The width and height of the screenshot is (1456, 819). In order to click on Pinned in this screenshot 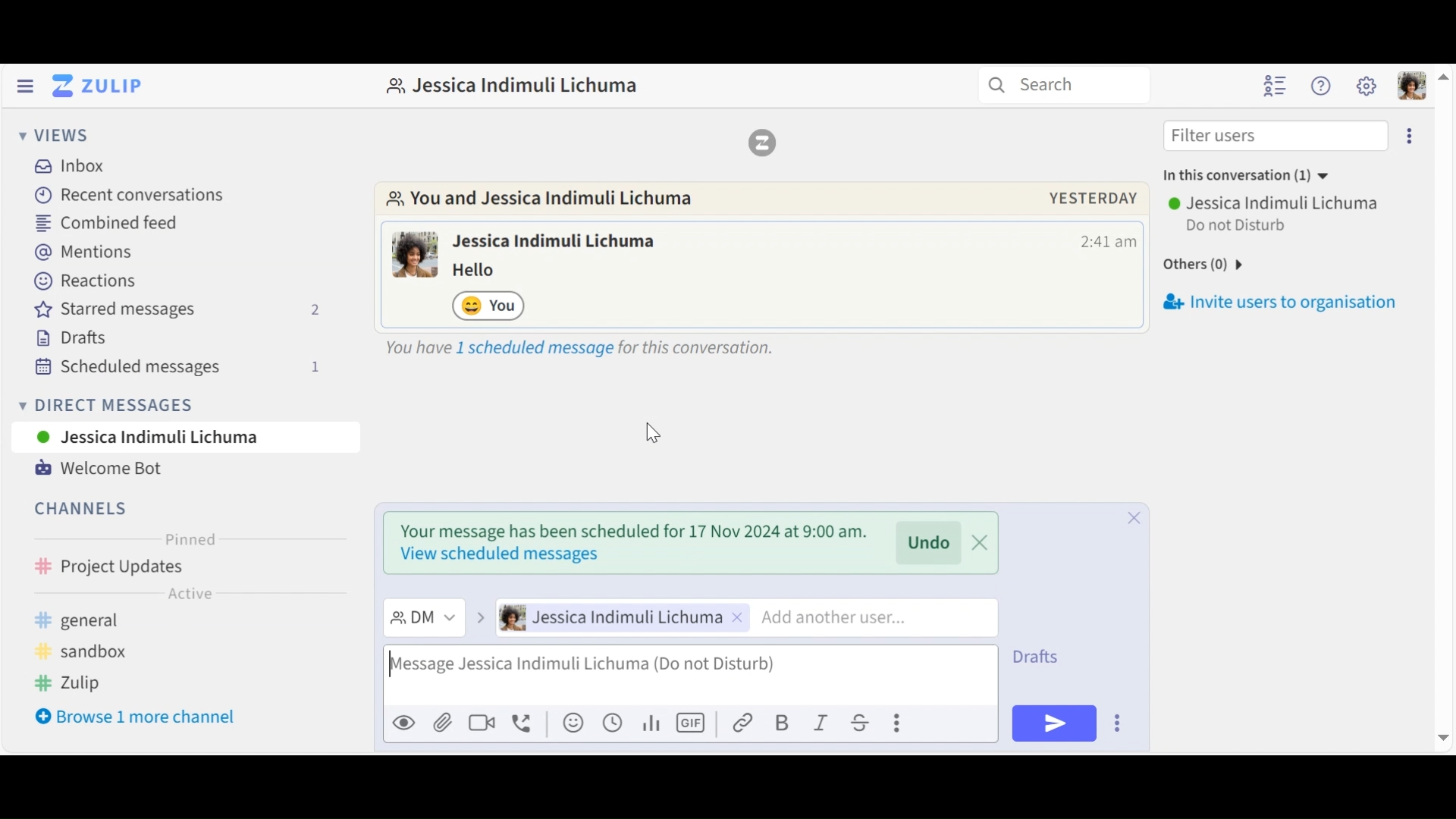, I will do `click(190, 540)`.